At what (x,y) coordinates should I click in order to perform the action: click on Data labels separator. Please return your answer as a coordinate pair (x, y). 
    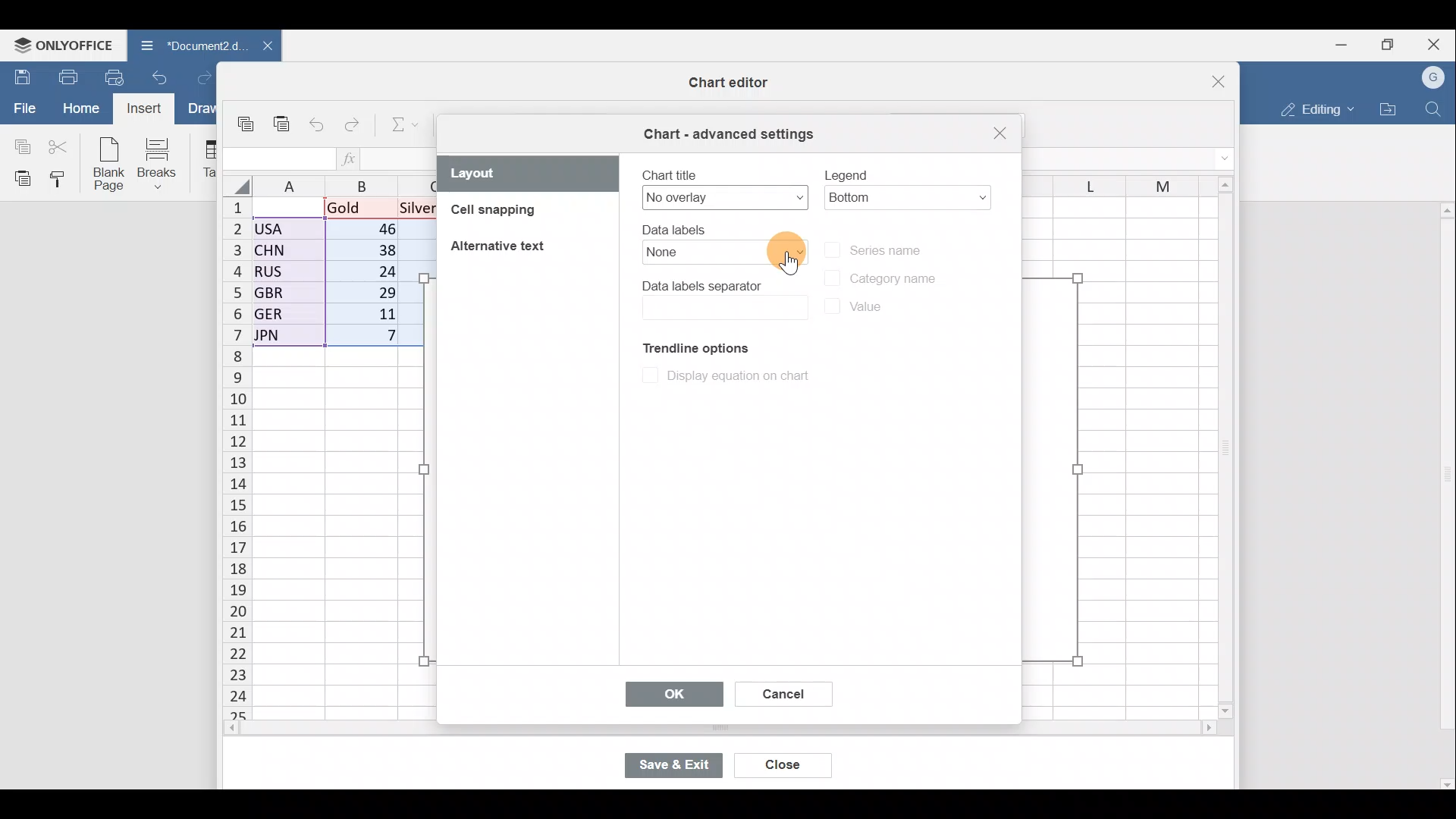
    Looking at the image, I should click on (723, 298).